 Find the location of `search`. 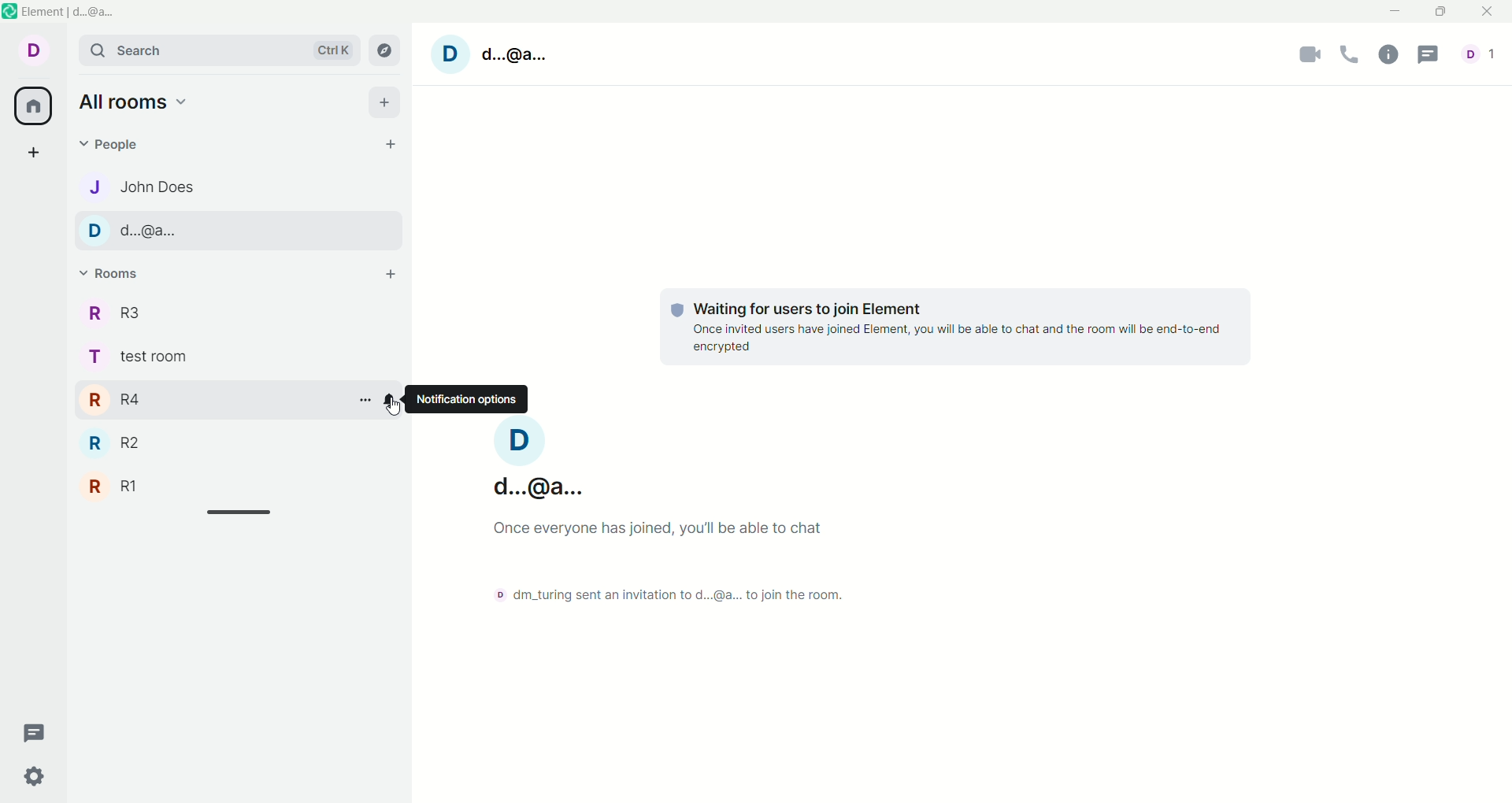

search is located at coordinates (218, 51).